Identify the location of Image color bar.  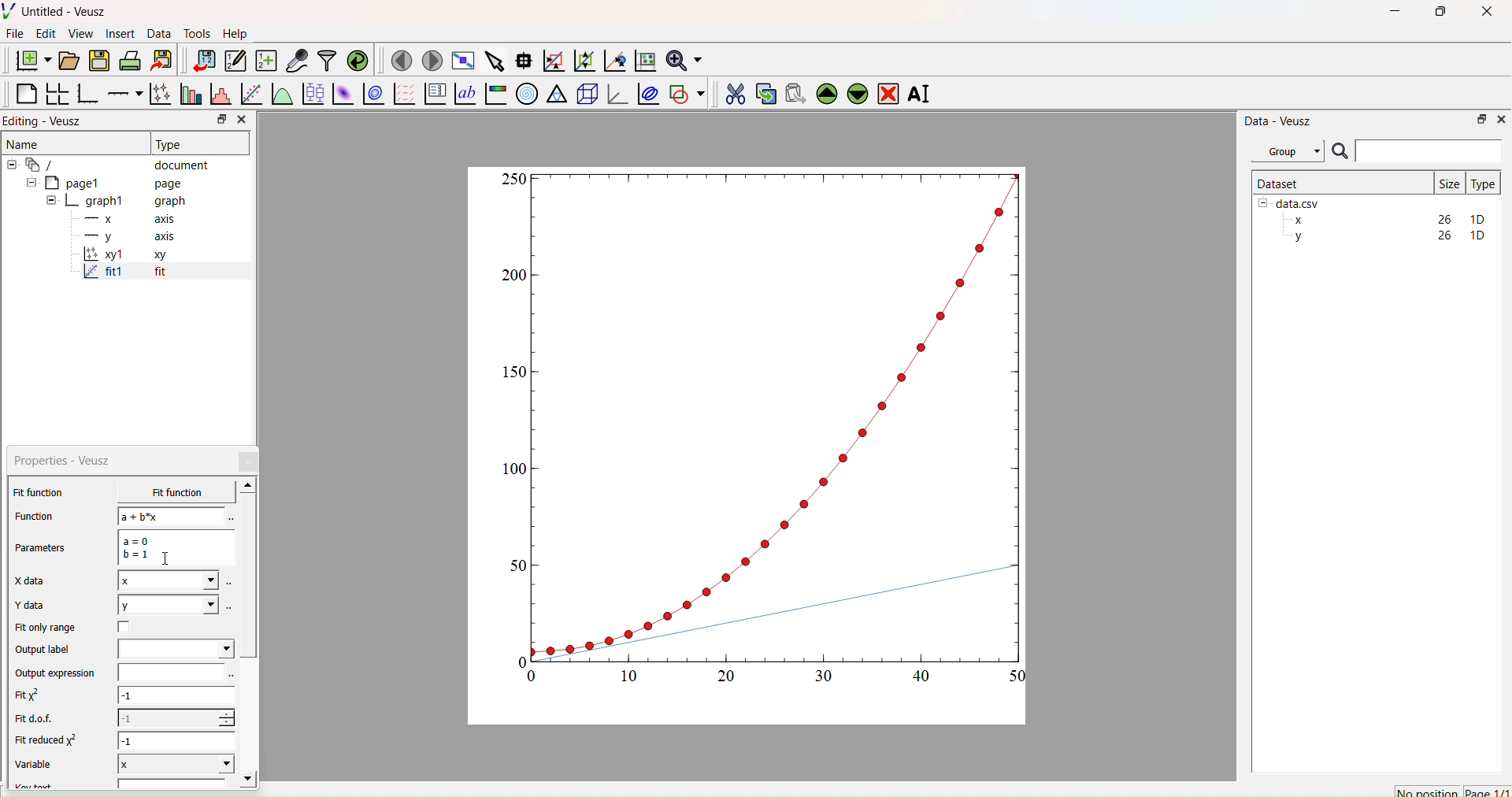
(494, 94).